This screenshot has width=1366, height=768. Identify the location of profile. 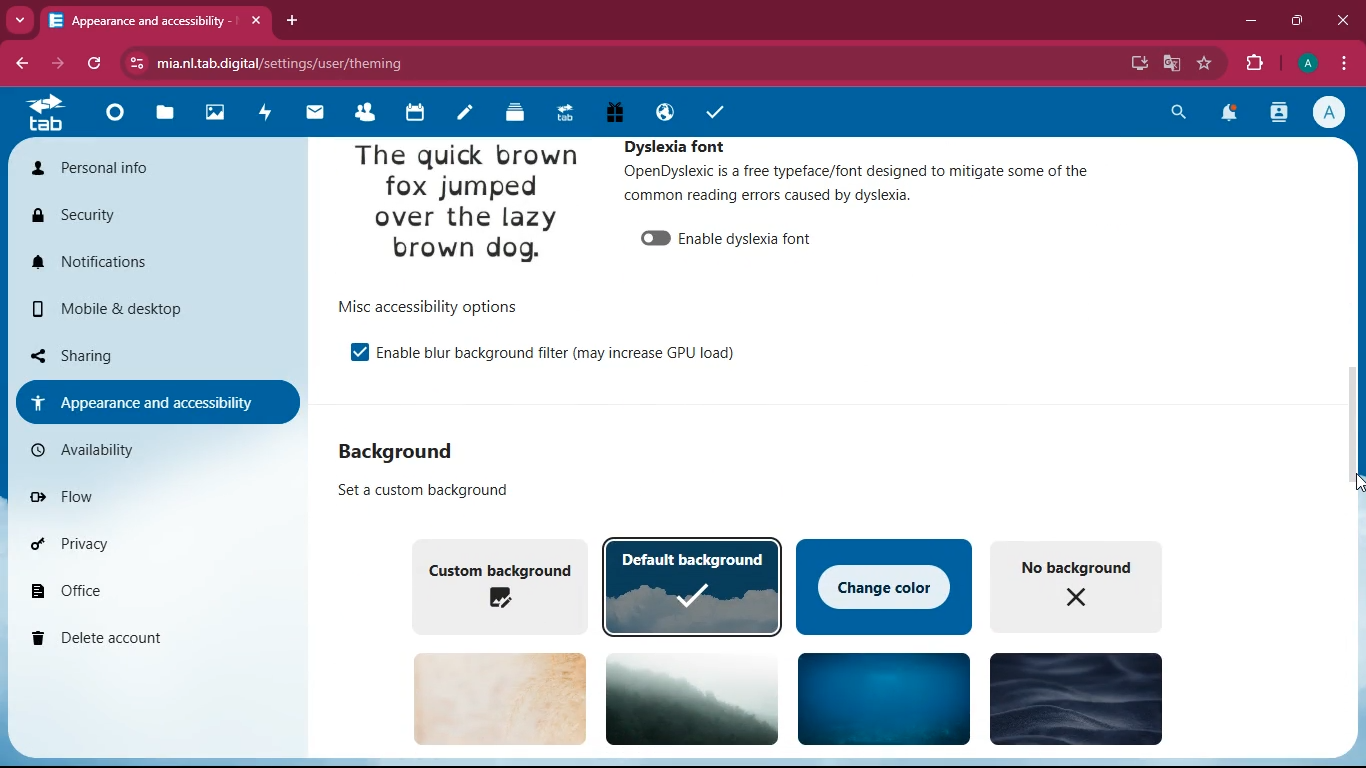
(1307, 63).